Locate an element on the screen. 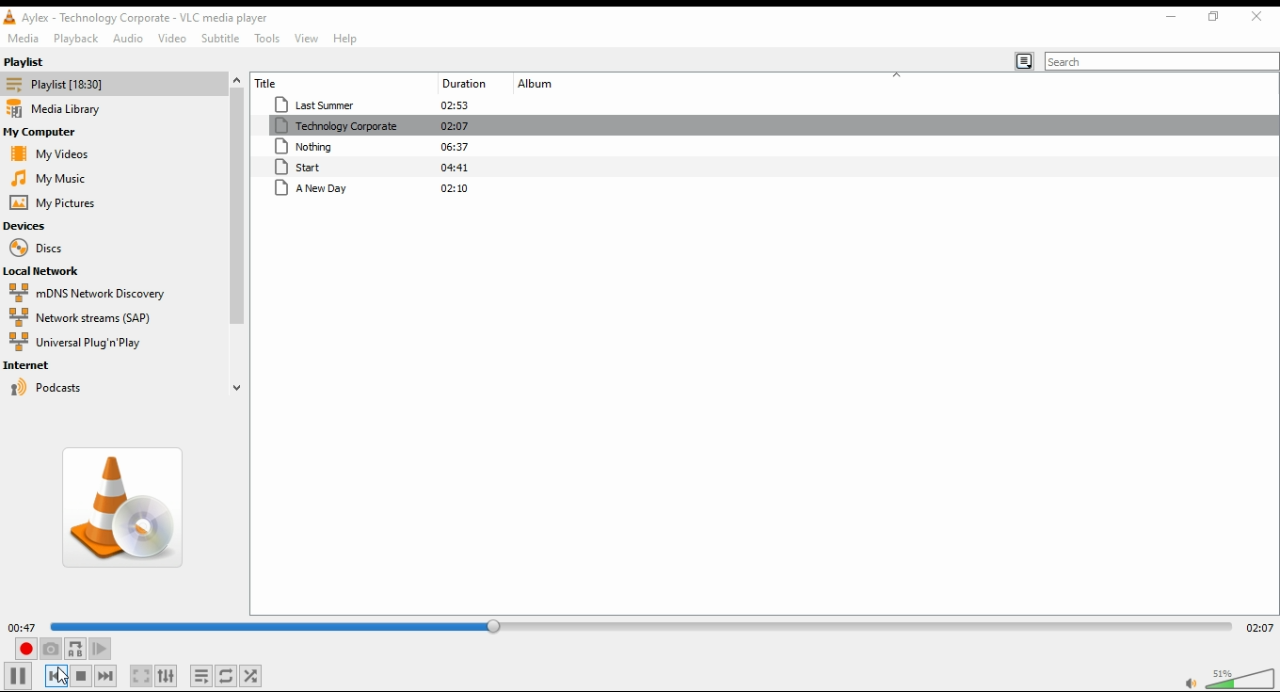  volume is located at coordinates (1242, 677).